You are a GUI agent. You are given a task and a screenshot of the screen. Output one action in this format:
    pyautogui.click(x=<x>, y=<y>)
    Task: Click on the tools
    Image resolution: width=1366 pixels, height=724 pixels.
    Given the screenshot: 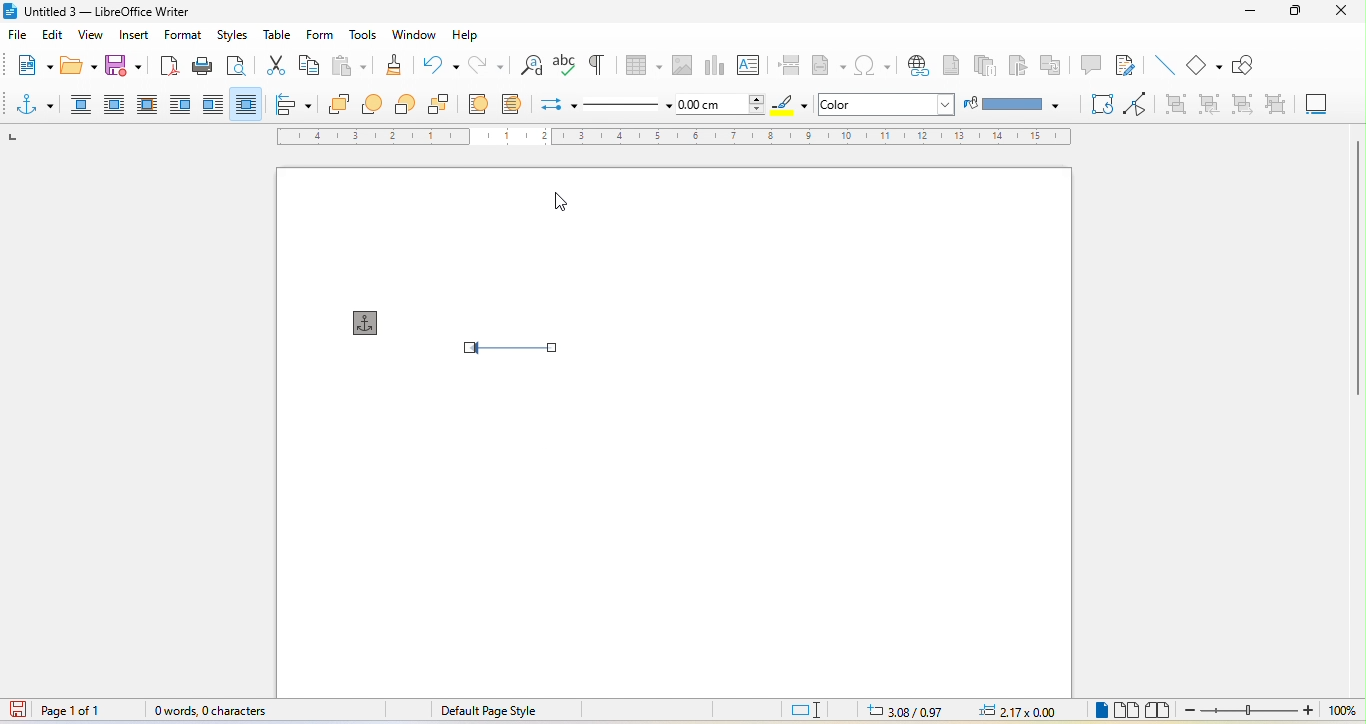 What is the action you would take?
    pyautogui.click(x=365, y=35)
    